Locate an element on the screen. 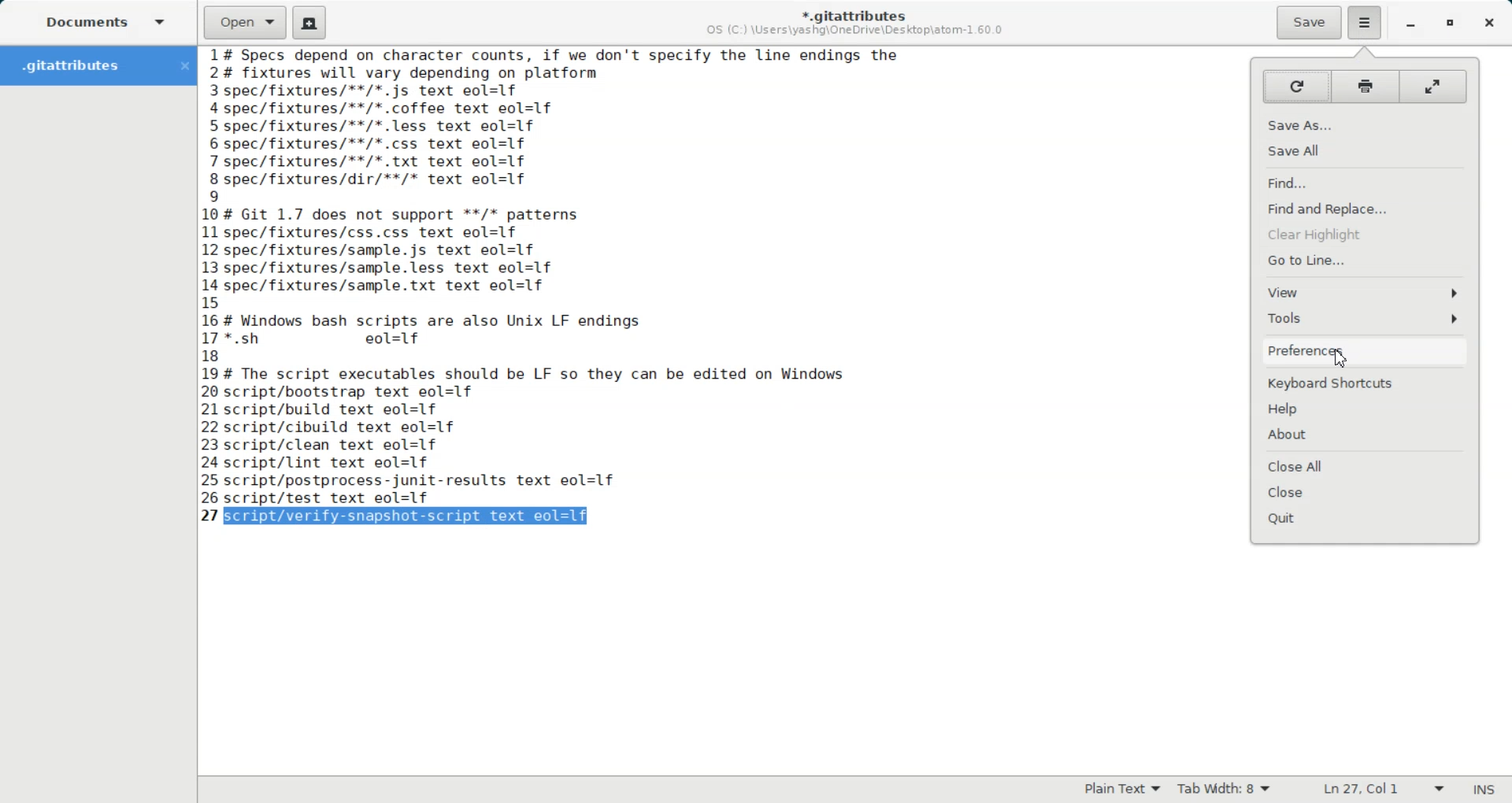  Find is located at coordinates (1365, 183).